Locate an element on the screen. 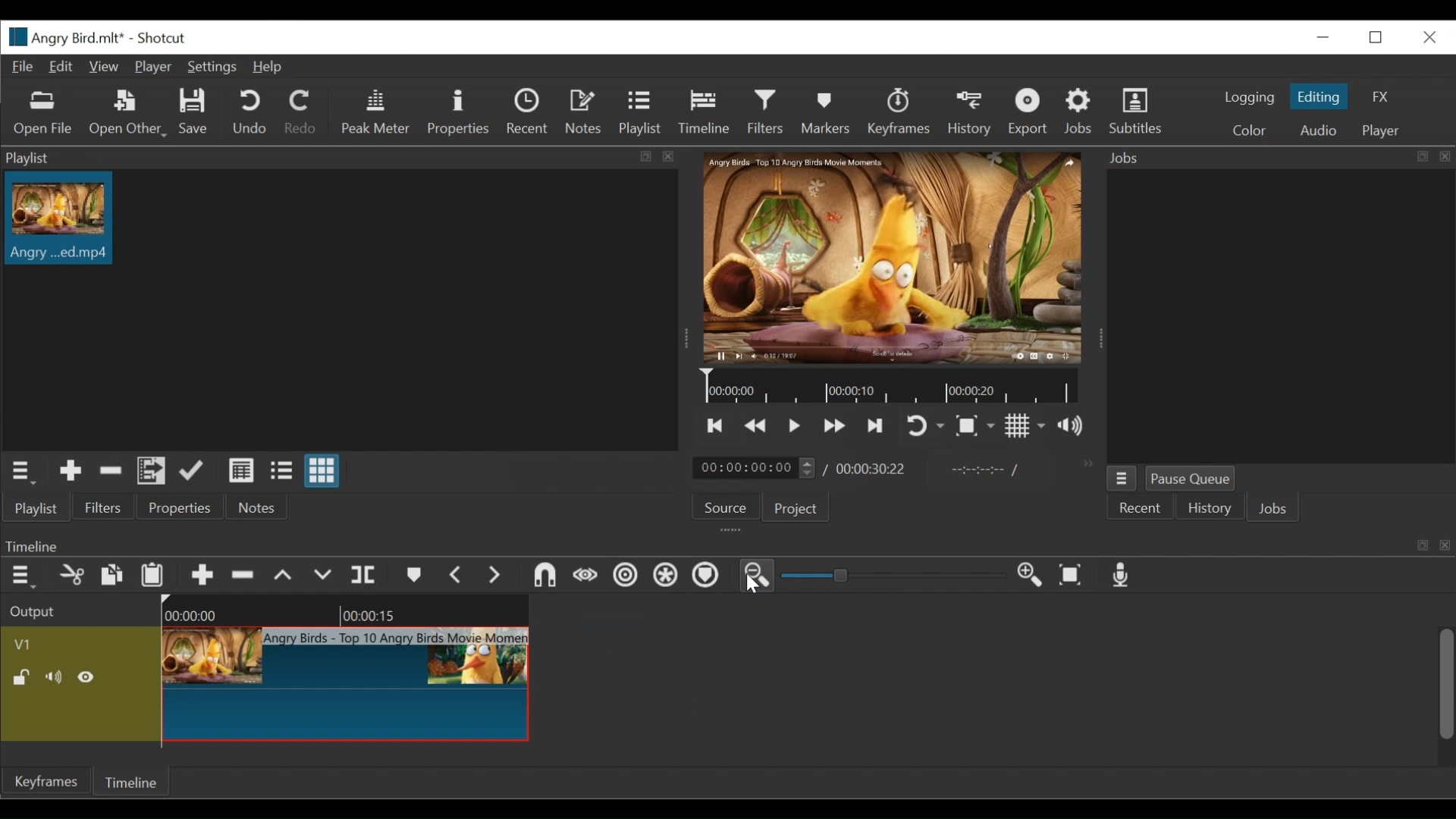 The width and height of the screenshot is (1456, 819). Total duration is located at coordinates (870, 471).